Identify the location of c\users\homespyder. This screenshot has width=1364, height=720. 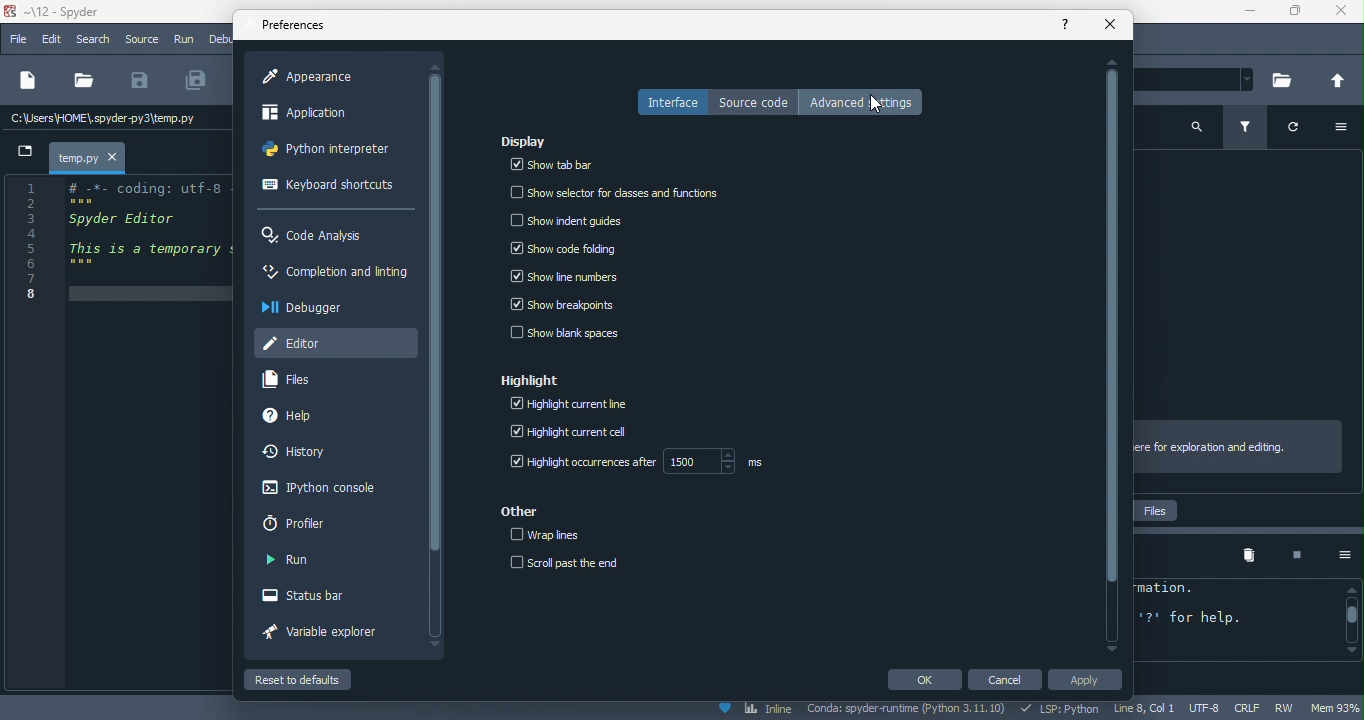
(104, 120).